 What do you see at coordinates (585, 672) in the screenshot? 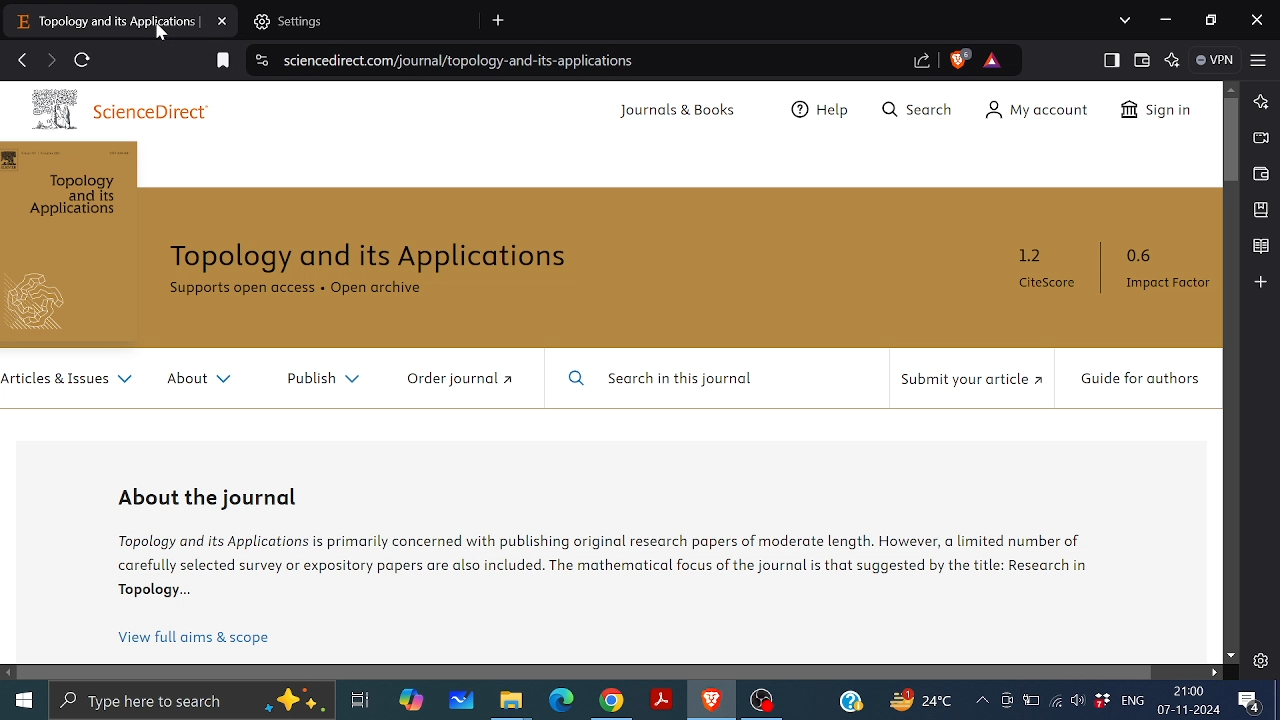
I see `Horizontal scrollbar` at bounding box center [585, 672].